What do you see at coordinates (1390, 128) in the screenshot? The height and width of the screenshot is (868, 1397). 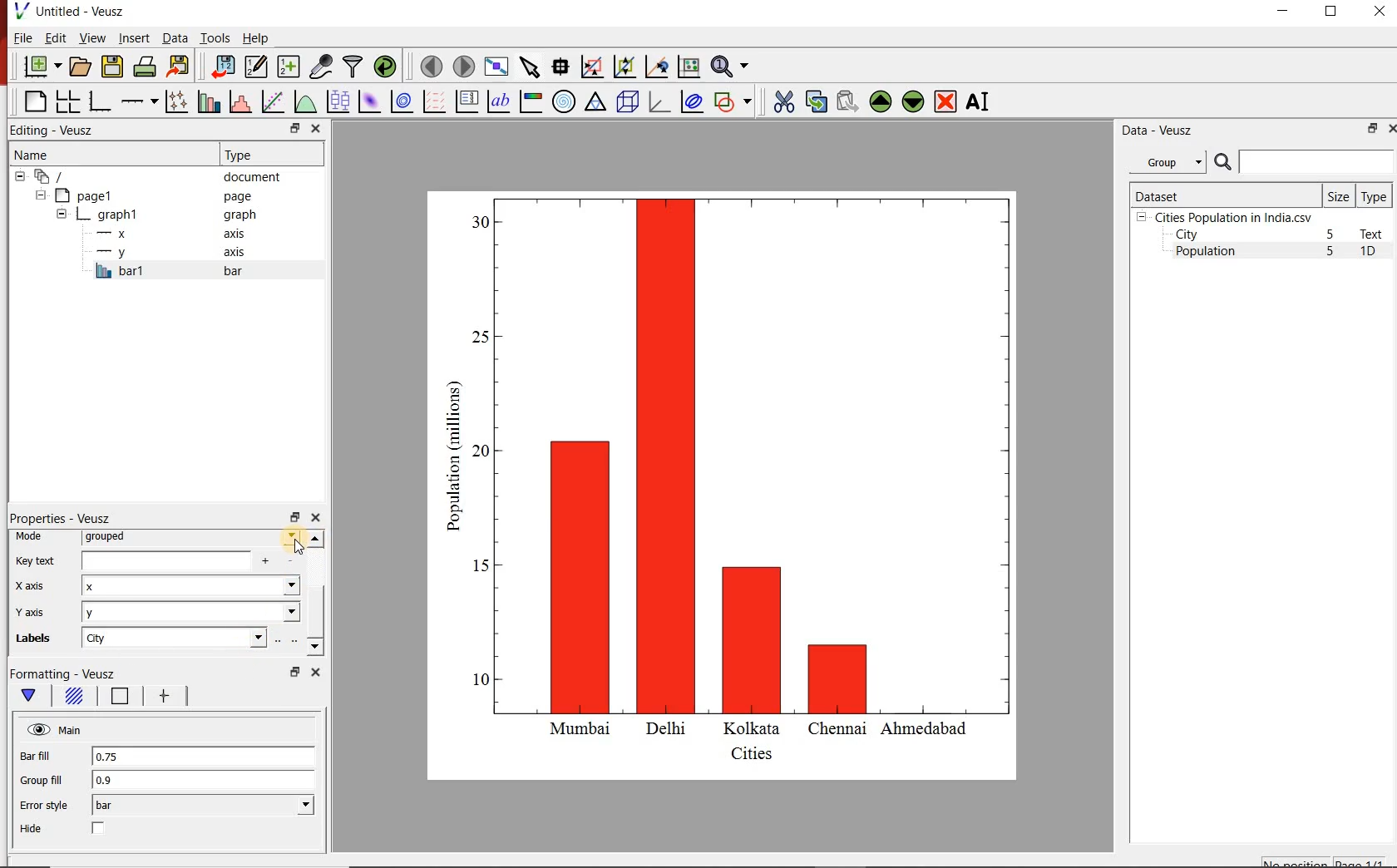 I see `close` at bounding box center [1390, 128].